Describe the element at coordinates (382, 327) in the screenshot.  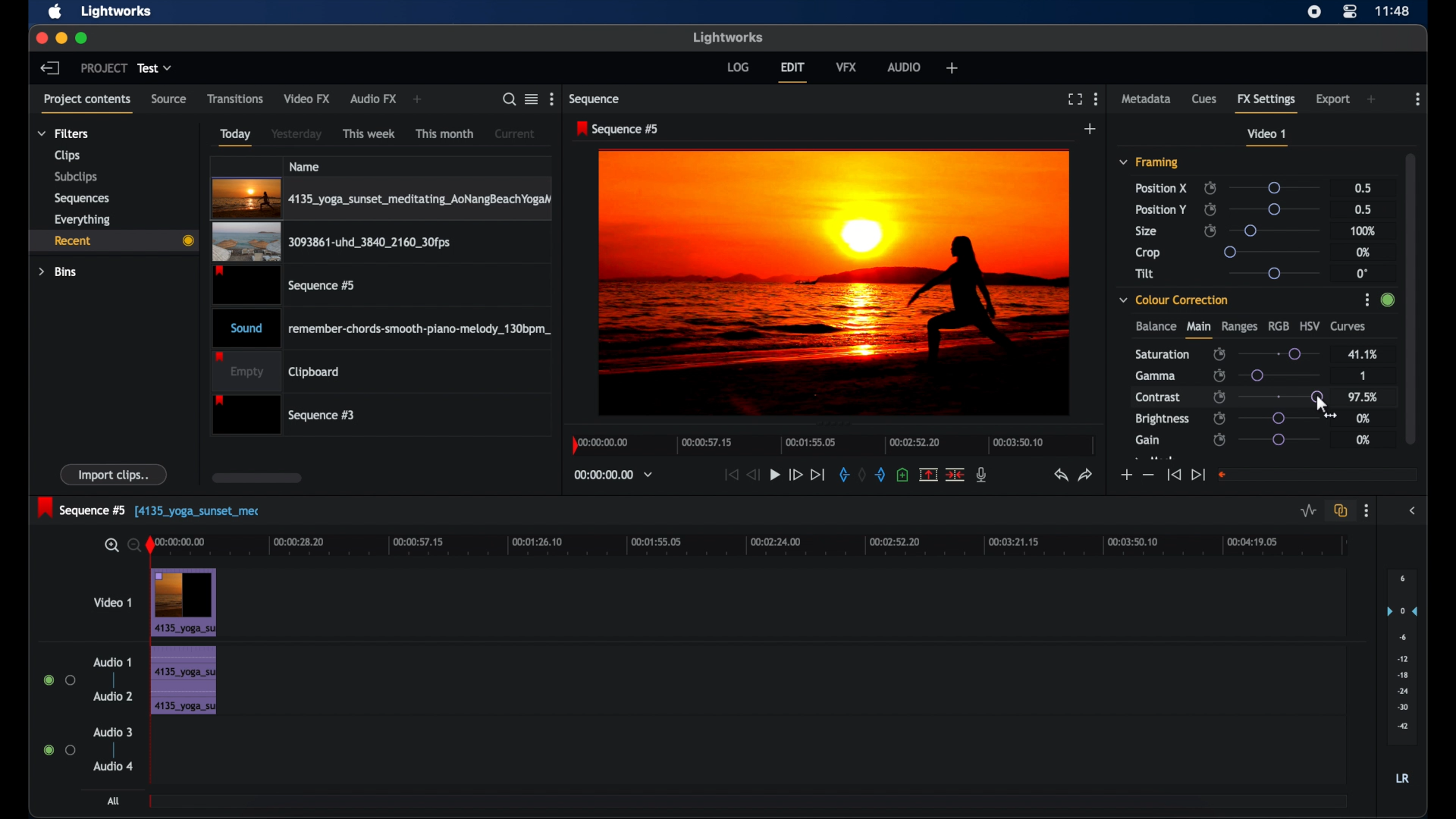
I see `audio clip` at that location.